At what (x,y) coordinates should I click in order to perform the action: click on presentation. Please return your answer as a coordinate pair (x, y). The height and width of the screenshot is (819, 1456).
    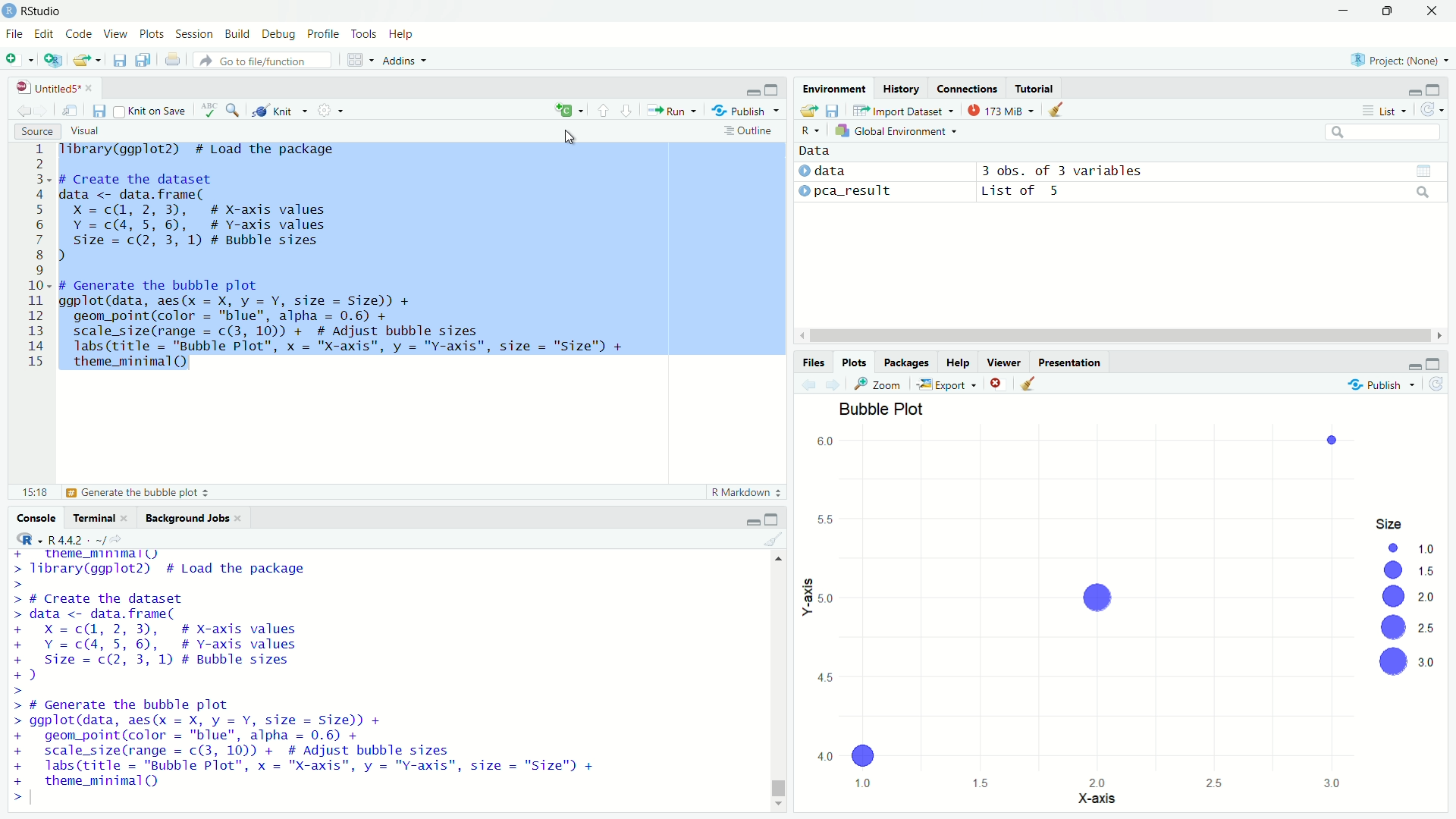
    Looking at the image, I should click on (1069, 362).